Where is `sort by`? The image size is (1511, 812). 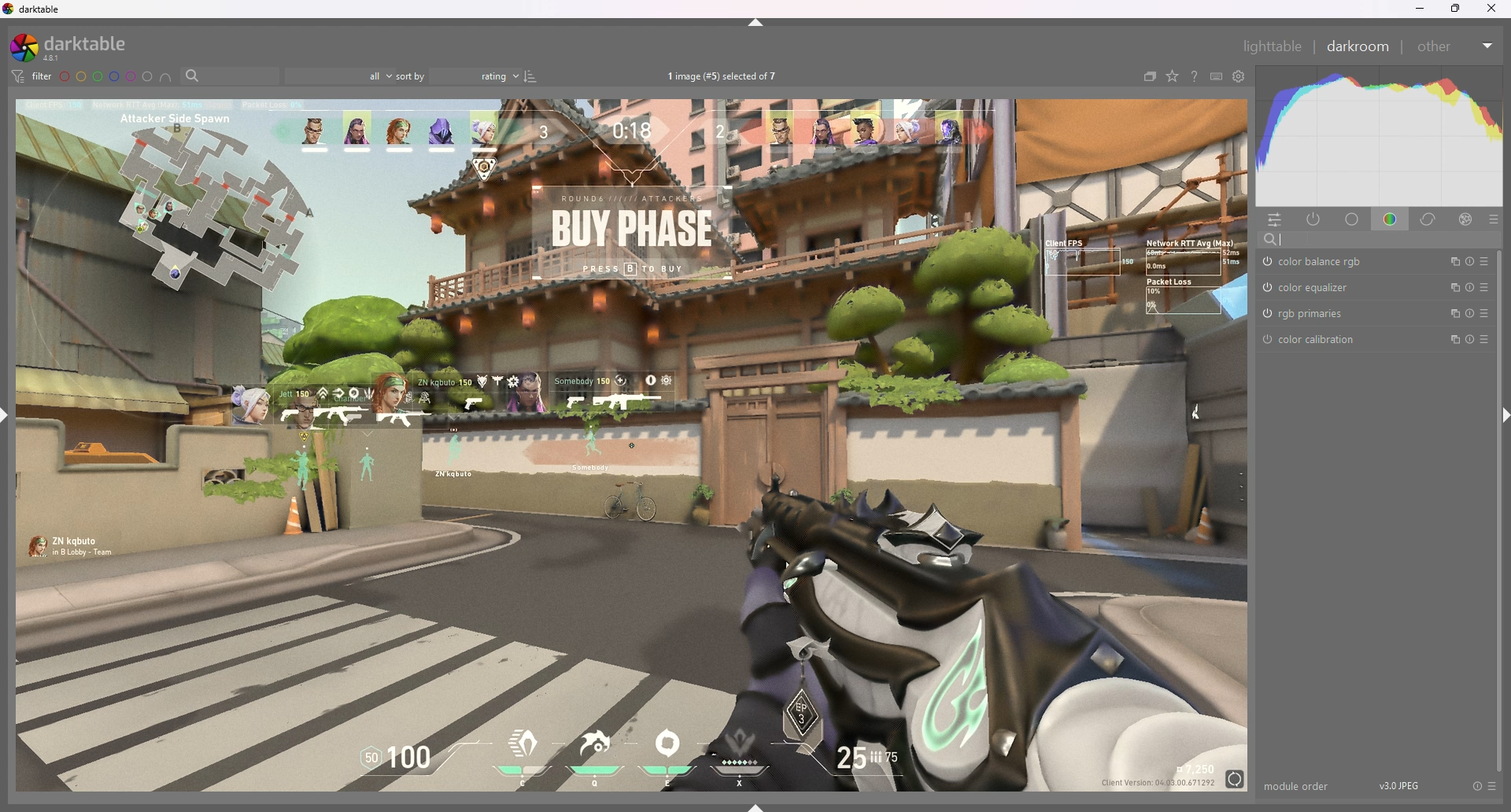 sort by is located at coordinates (457, 76).